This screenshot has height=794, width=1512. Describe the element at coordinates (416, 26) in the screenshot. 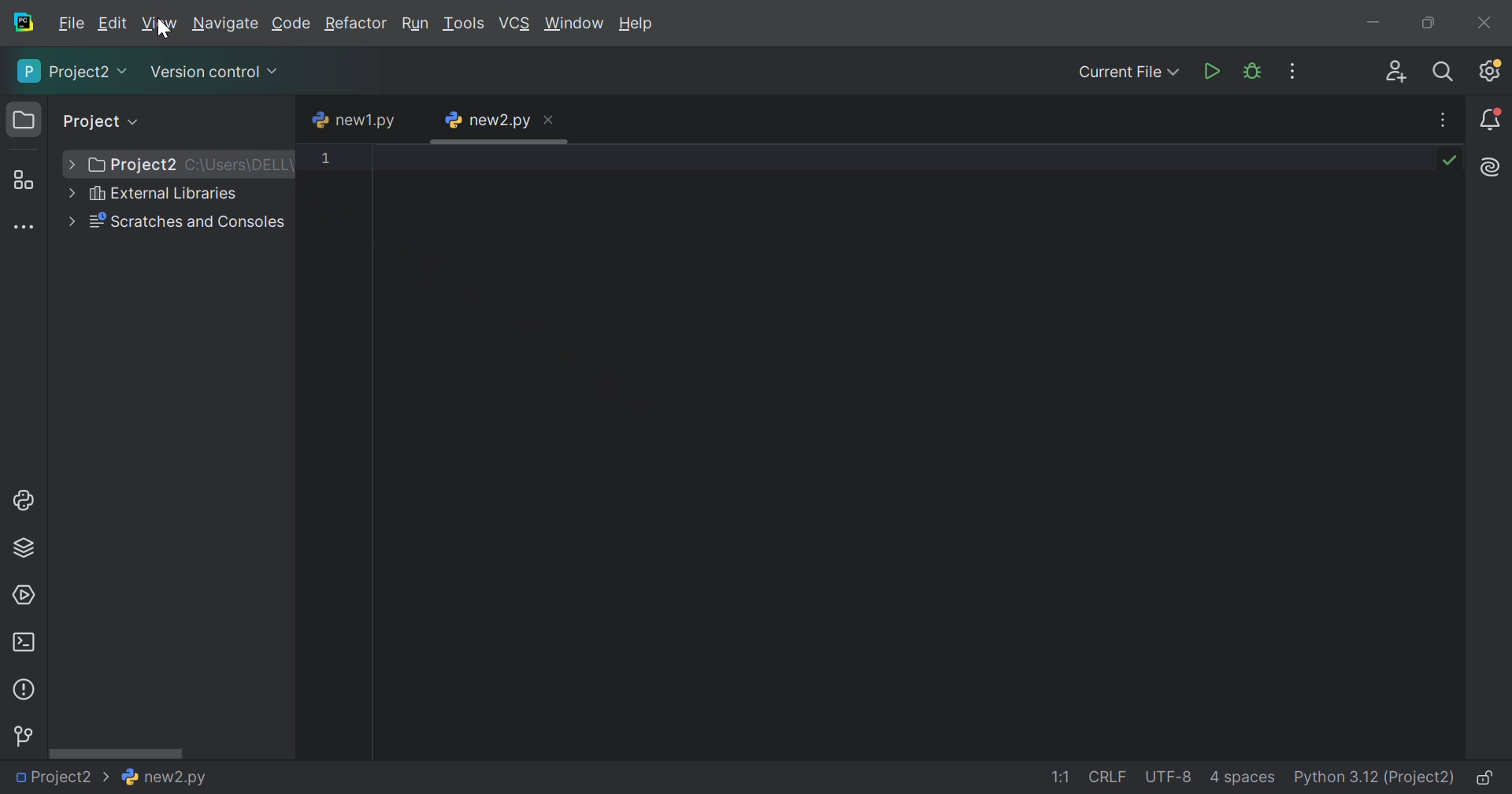

I see `Run` at that location.